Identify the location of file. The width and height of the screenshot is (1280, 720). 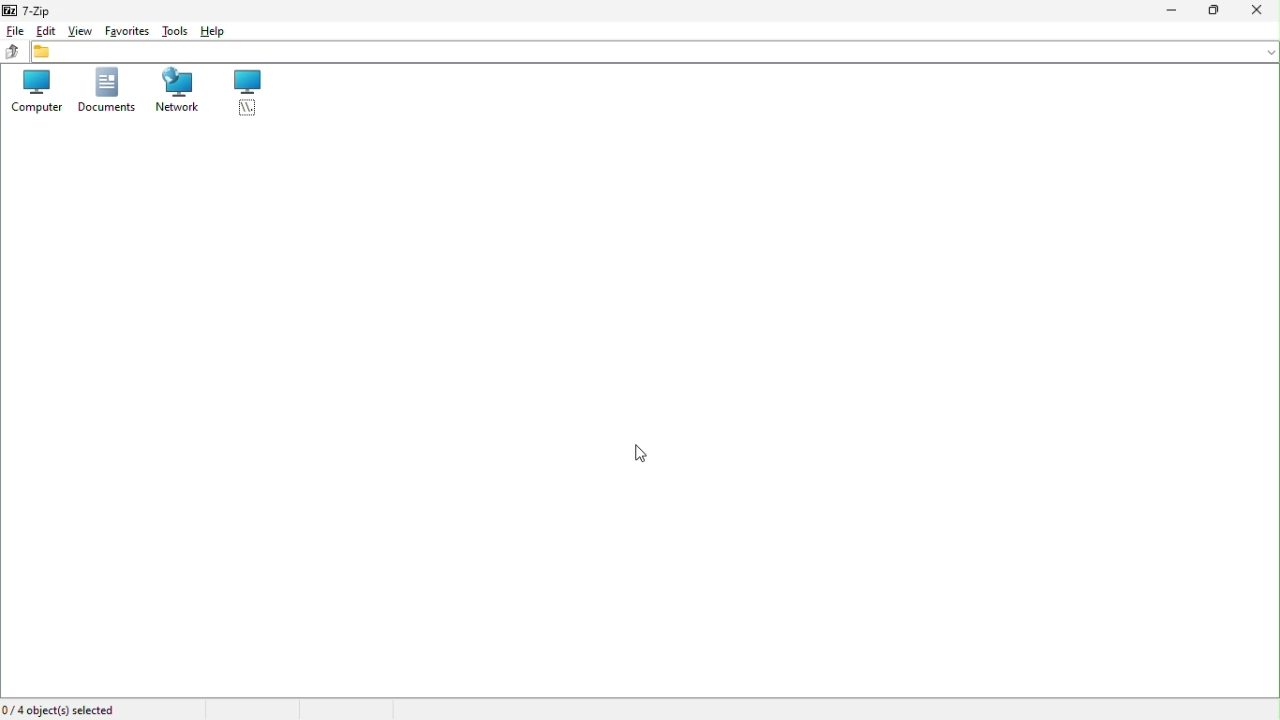
(12, 29).